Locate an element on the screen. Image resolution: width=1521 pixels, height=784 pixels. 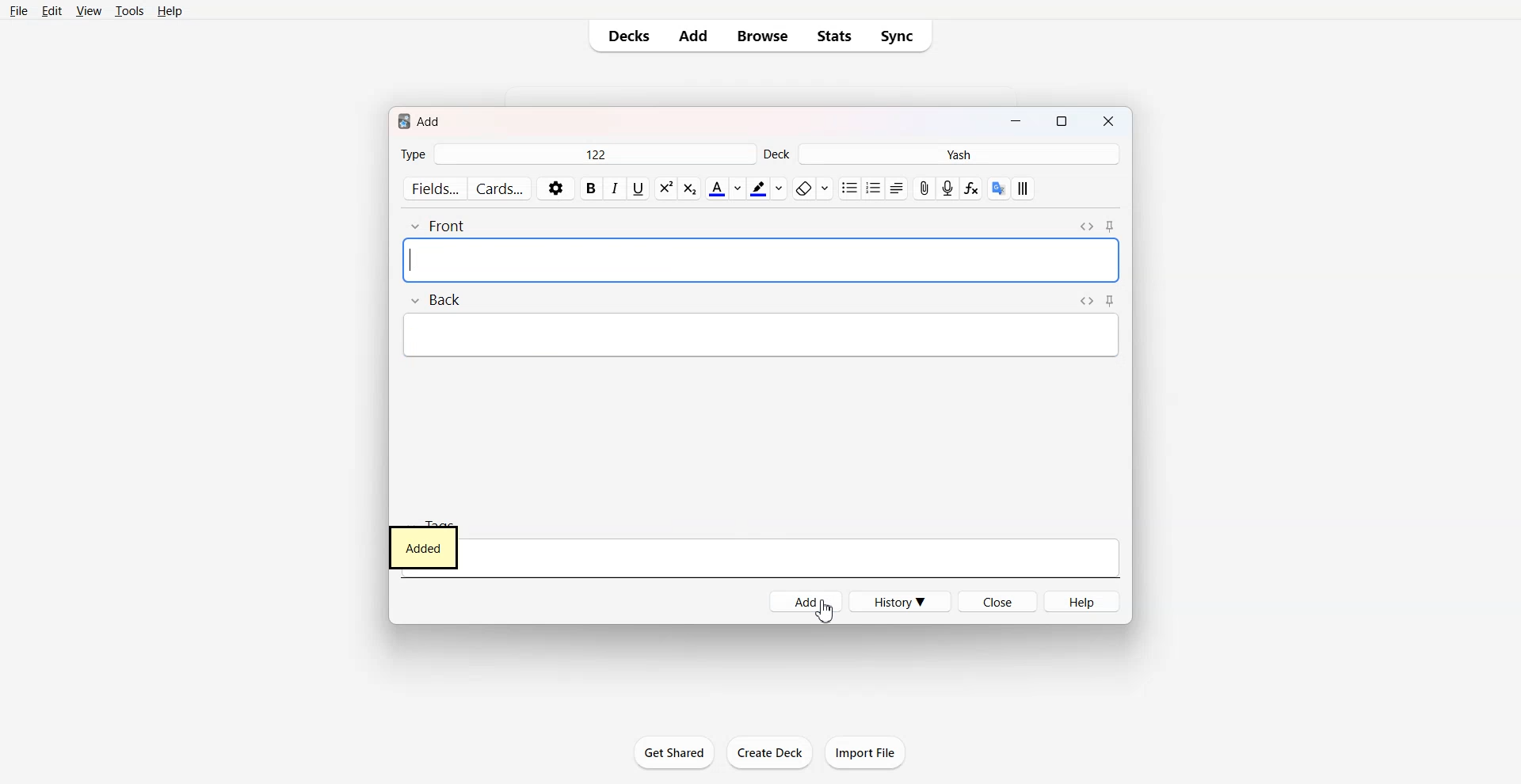
Minimize is located at coordinates (1015, 123).